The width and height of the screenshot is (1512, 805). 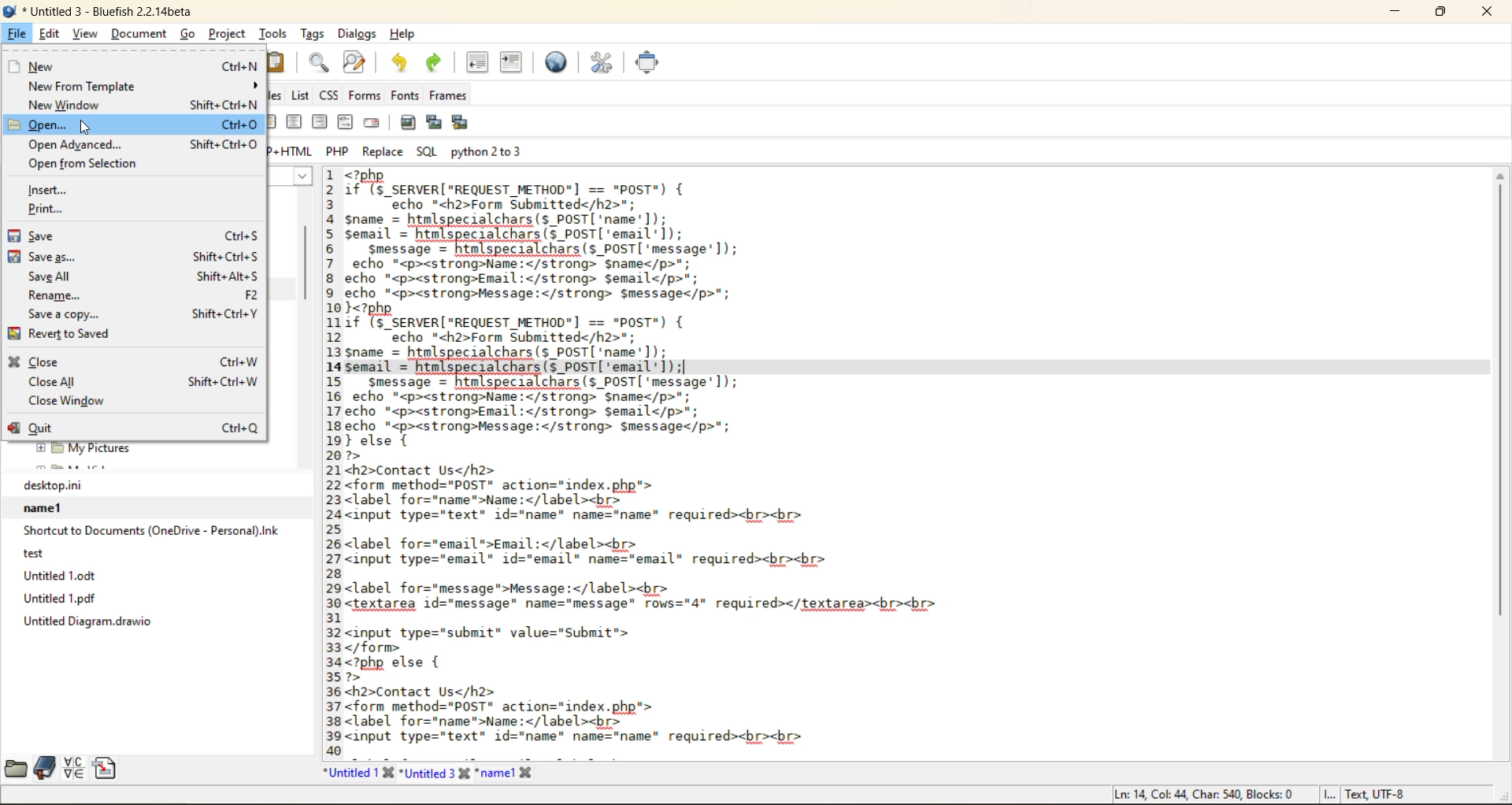 I want to click on snippets, so click(x=109, y=768).